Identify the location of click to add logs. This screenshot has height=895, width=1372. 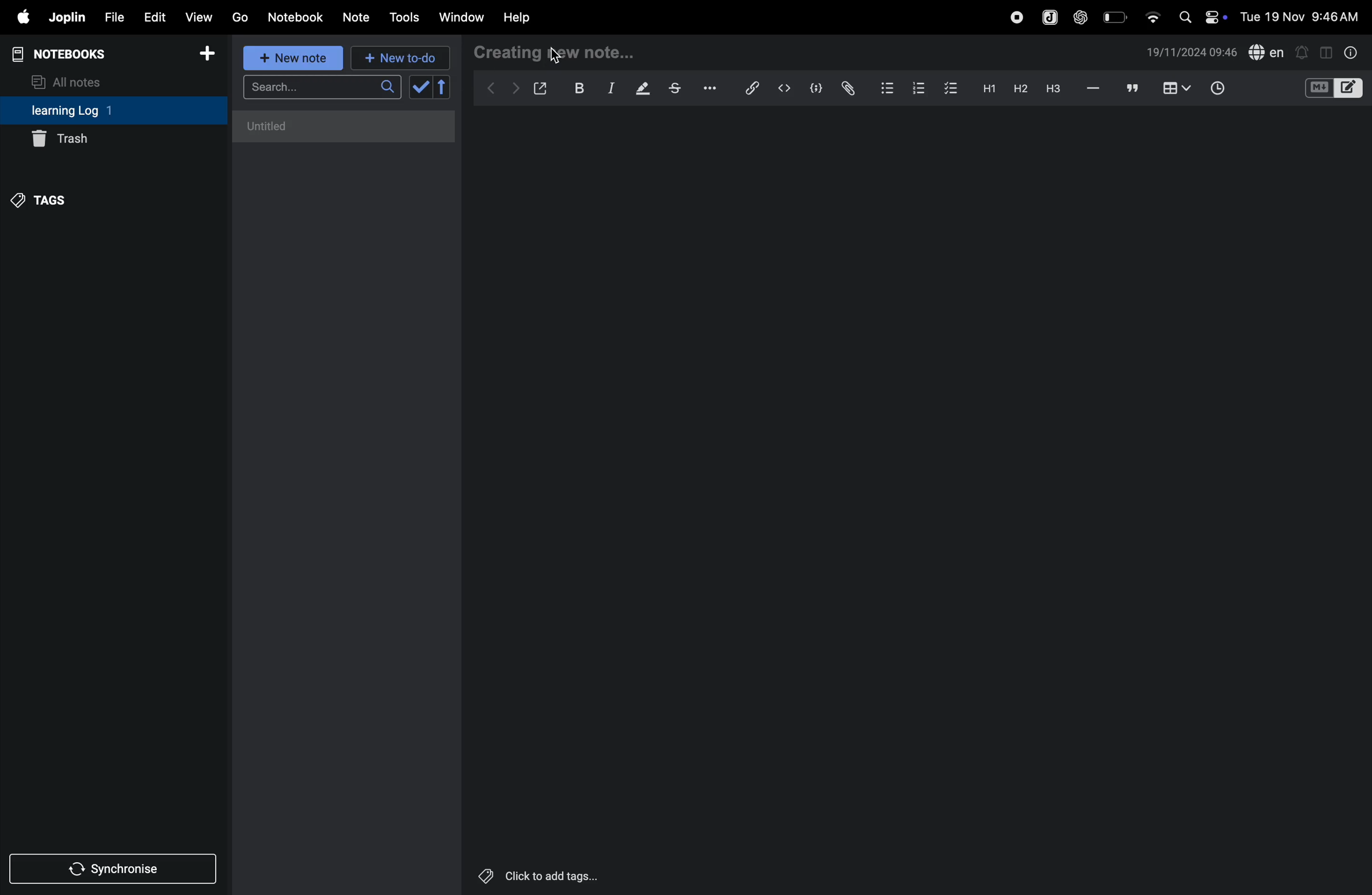
(537, 875).